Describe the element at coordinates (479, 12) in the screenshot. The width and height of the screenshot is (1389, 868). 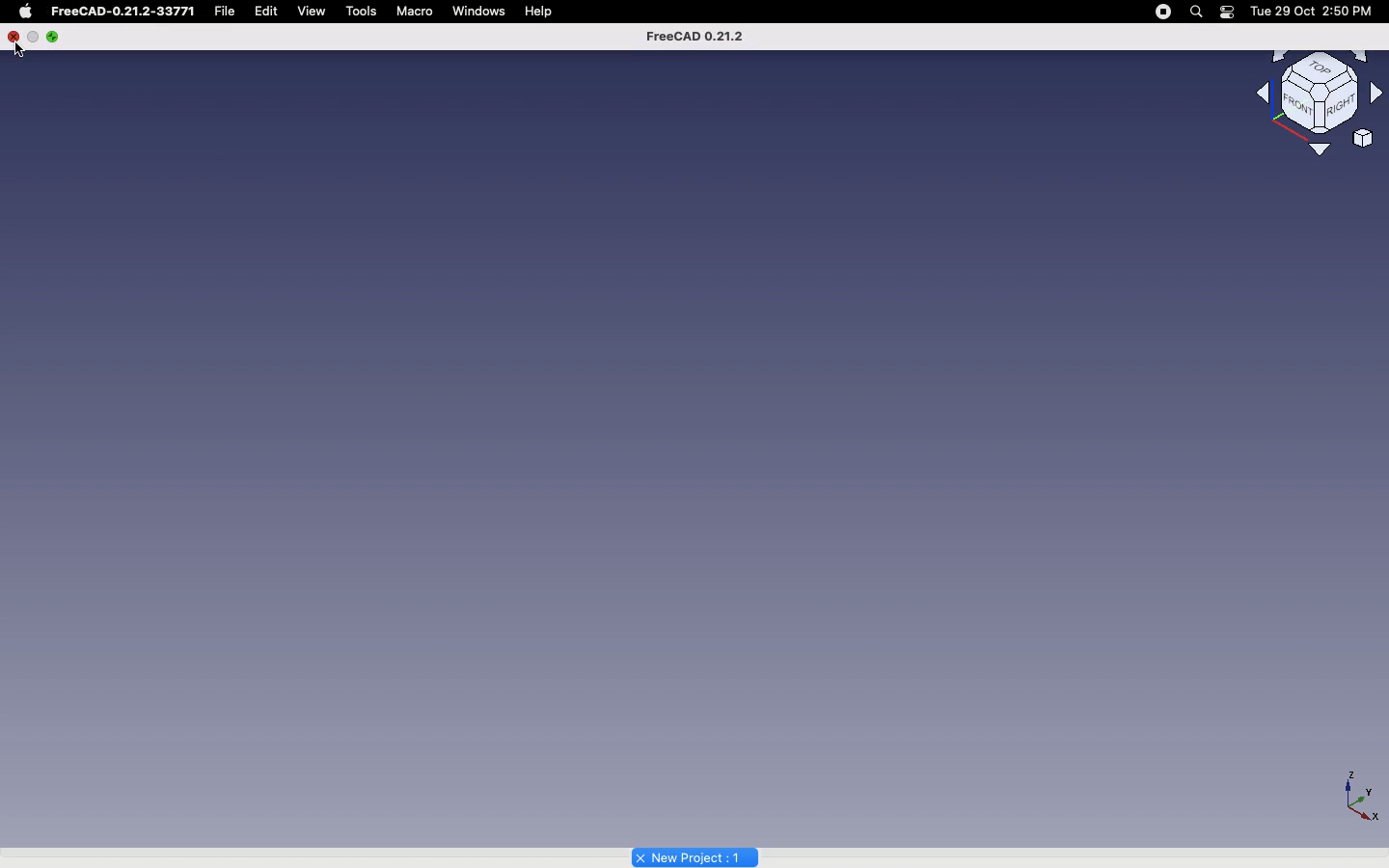
I see `Windows` at that location.